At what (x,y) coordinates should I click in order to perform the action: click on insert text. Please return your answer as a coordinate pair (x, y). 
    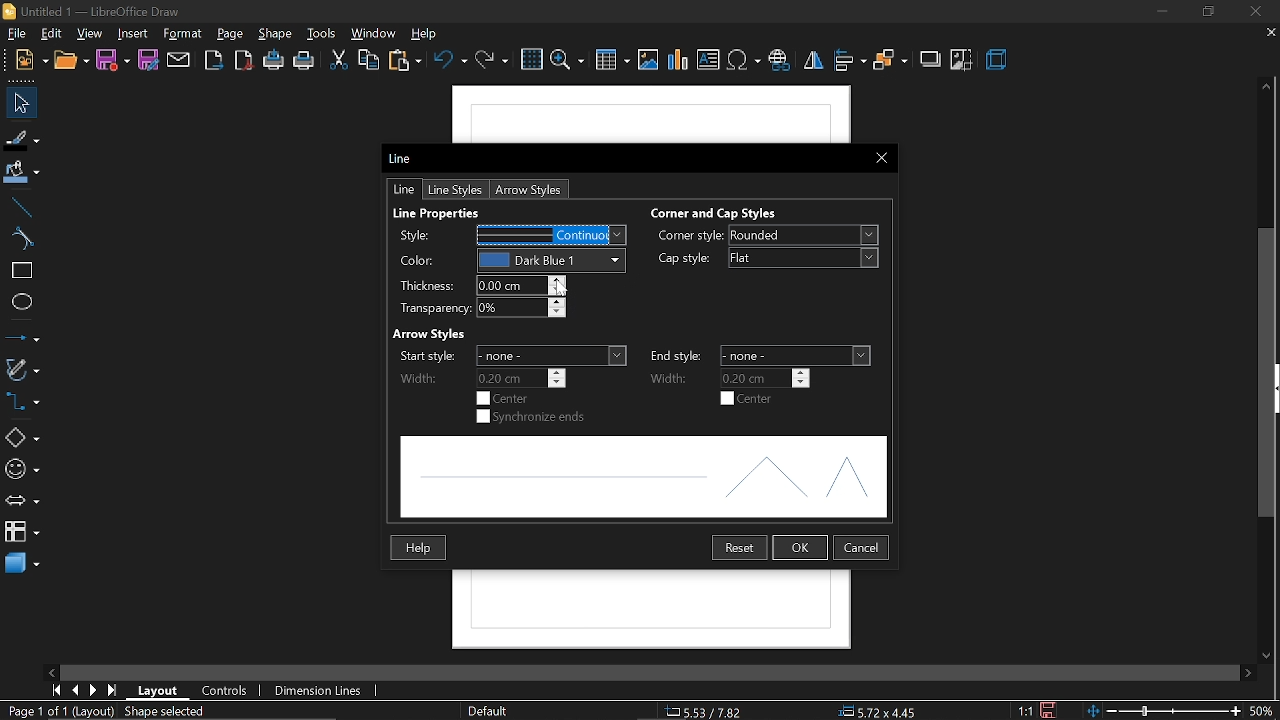
    Looking at the image, I should click on (710, 60).